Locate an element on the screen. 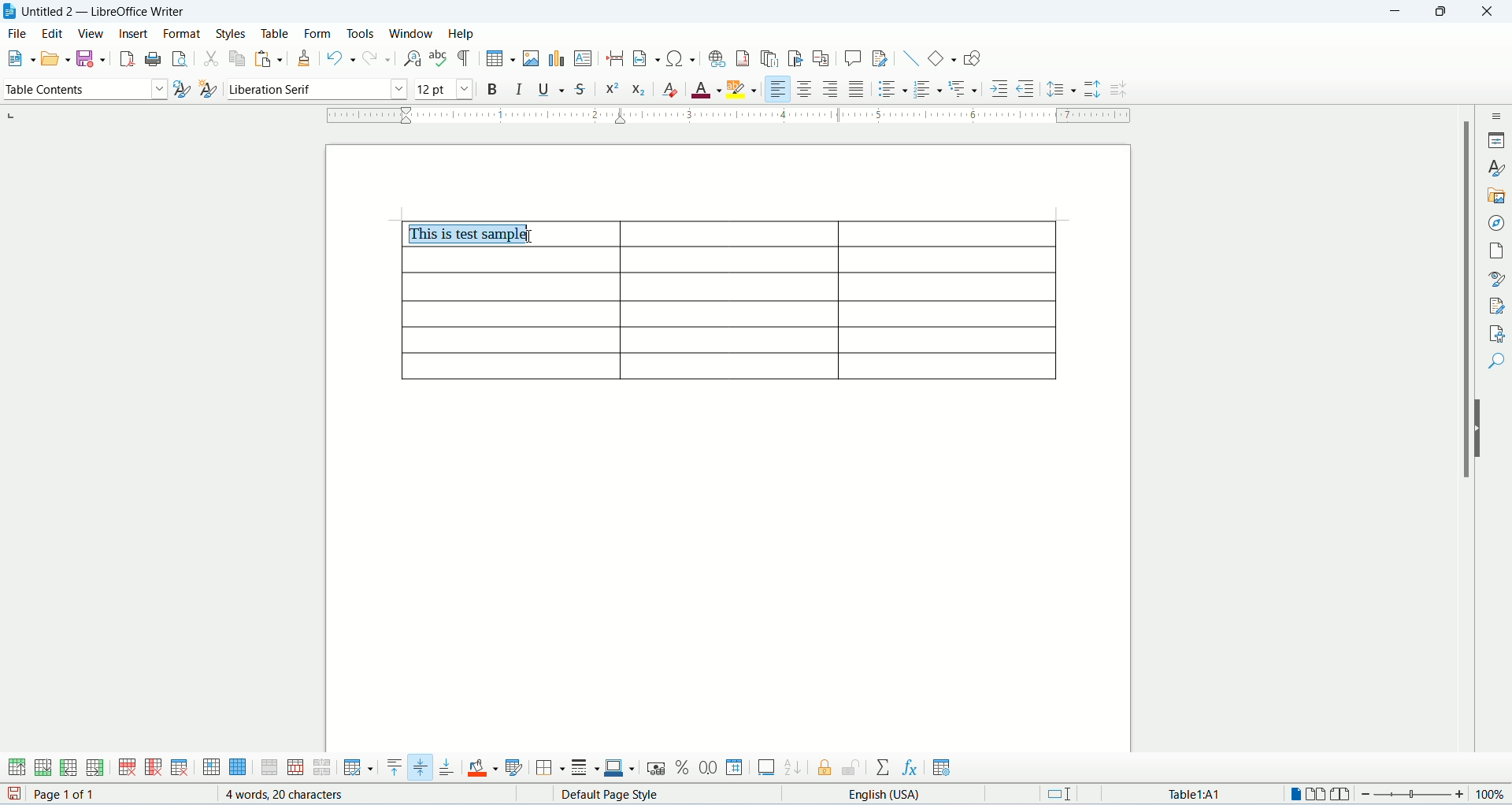 The height and width of the screenshot is (805, 1512). insert field is located at coordinates (645, 57).